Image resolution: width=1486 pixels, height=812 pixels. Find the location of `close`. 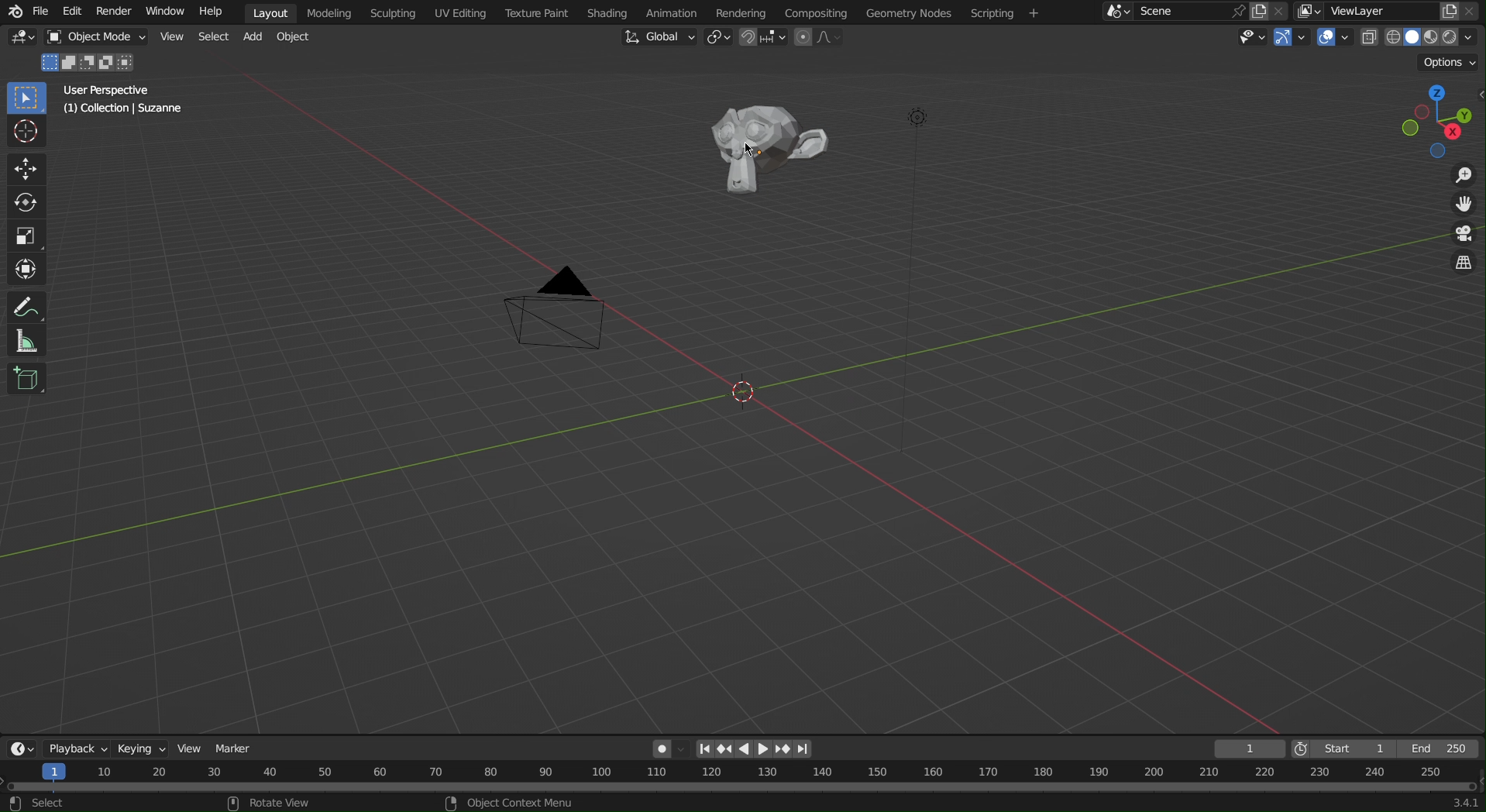

close is located at coordinates (1281, 11).